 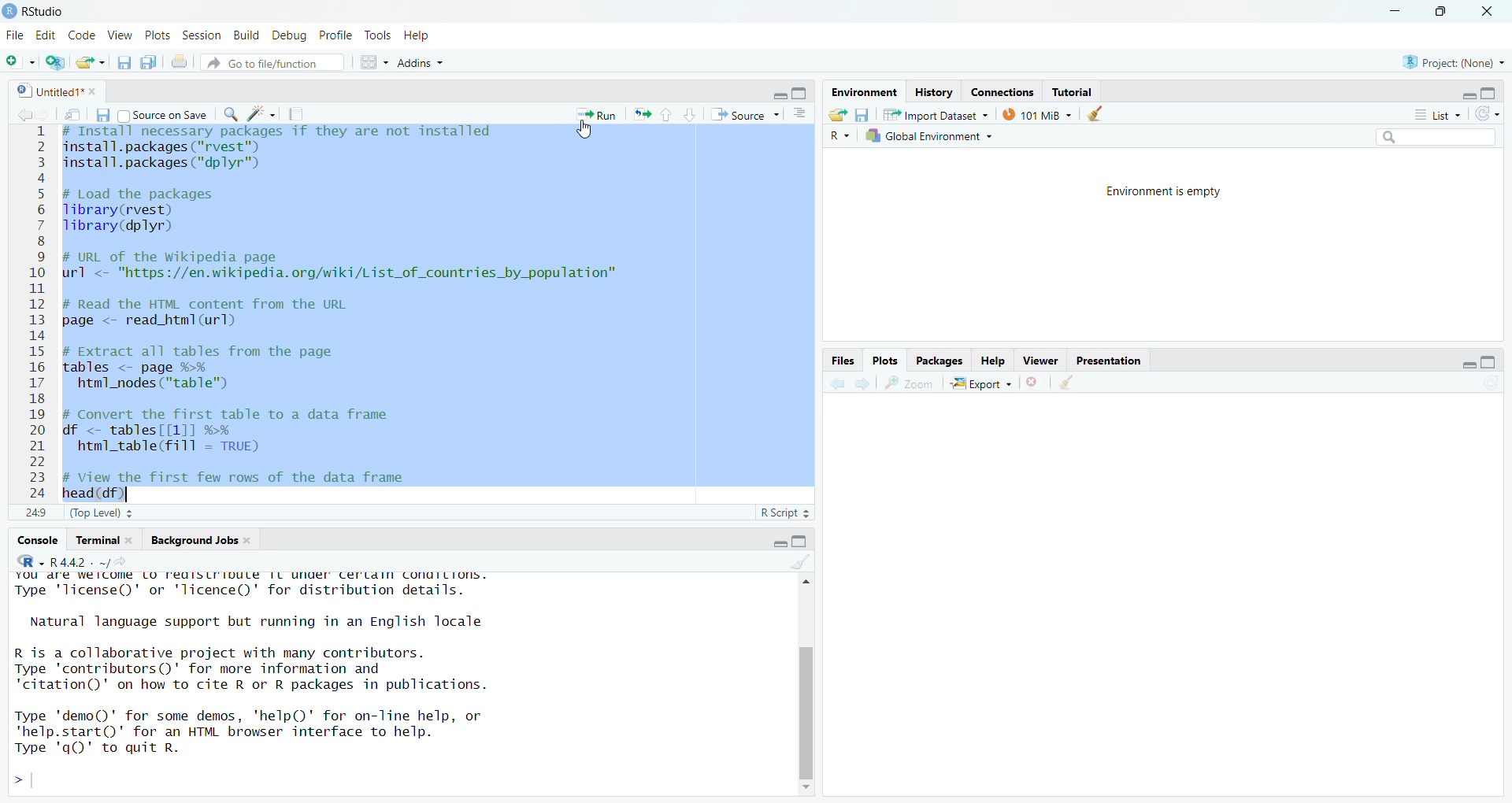 I want to click on  install necessary packages if they are not installed install.packages ("rvest") install.packages ("dplyr"), so click(x=278, y=152).